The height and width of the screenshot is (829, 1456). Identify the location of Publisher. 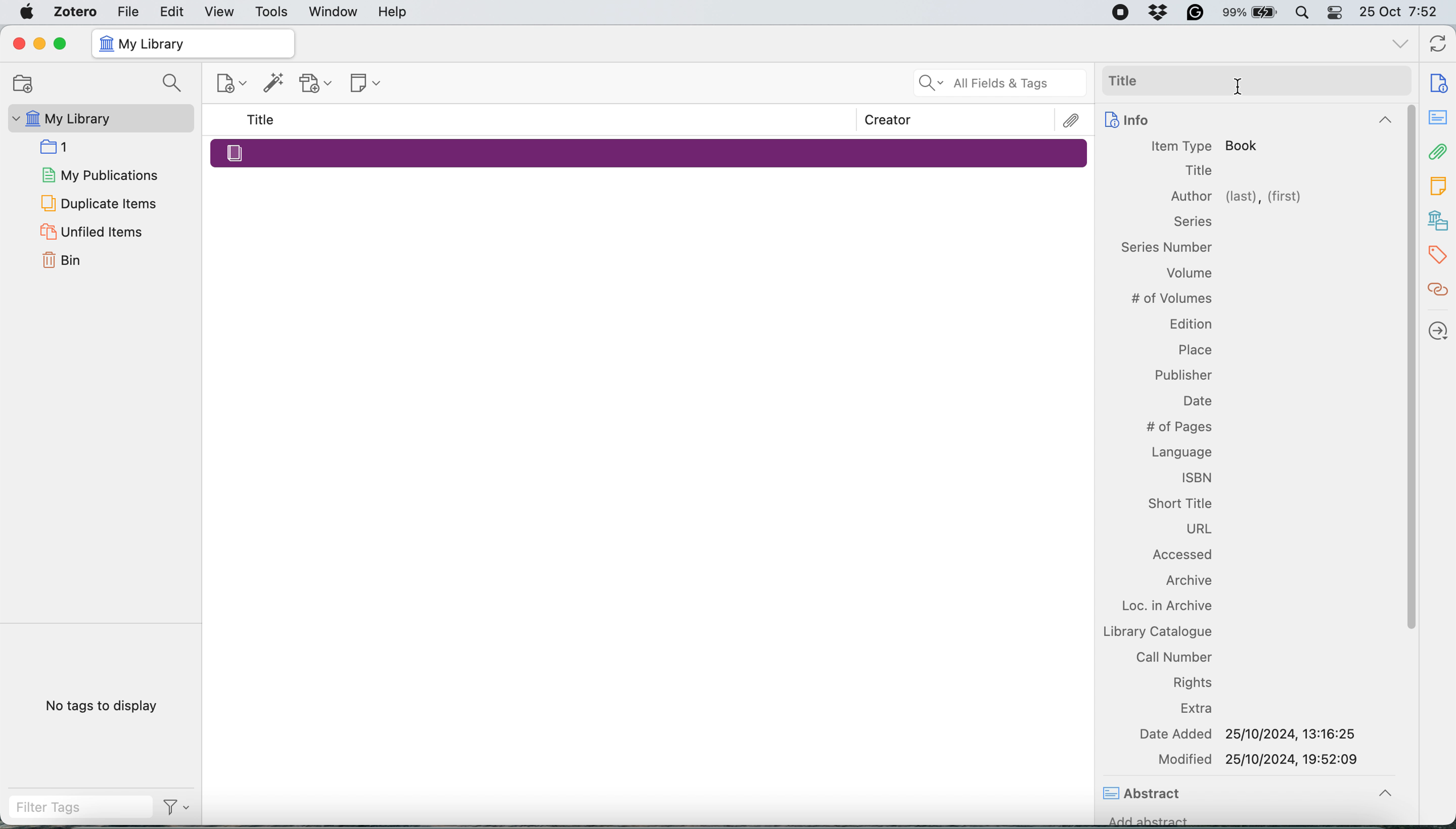
(1184, 375).